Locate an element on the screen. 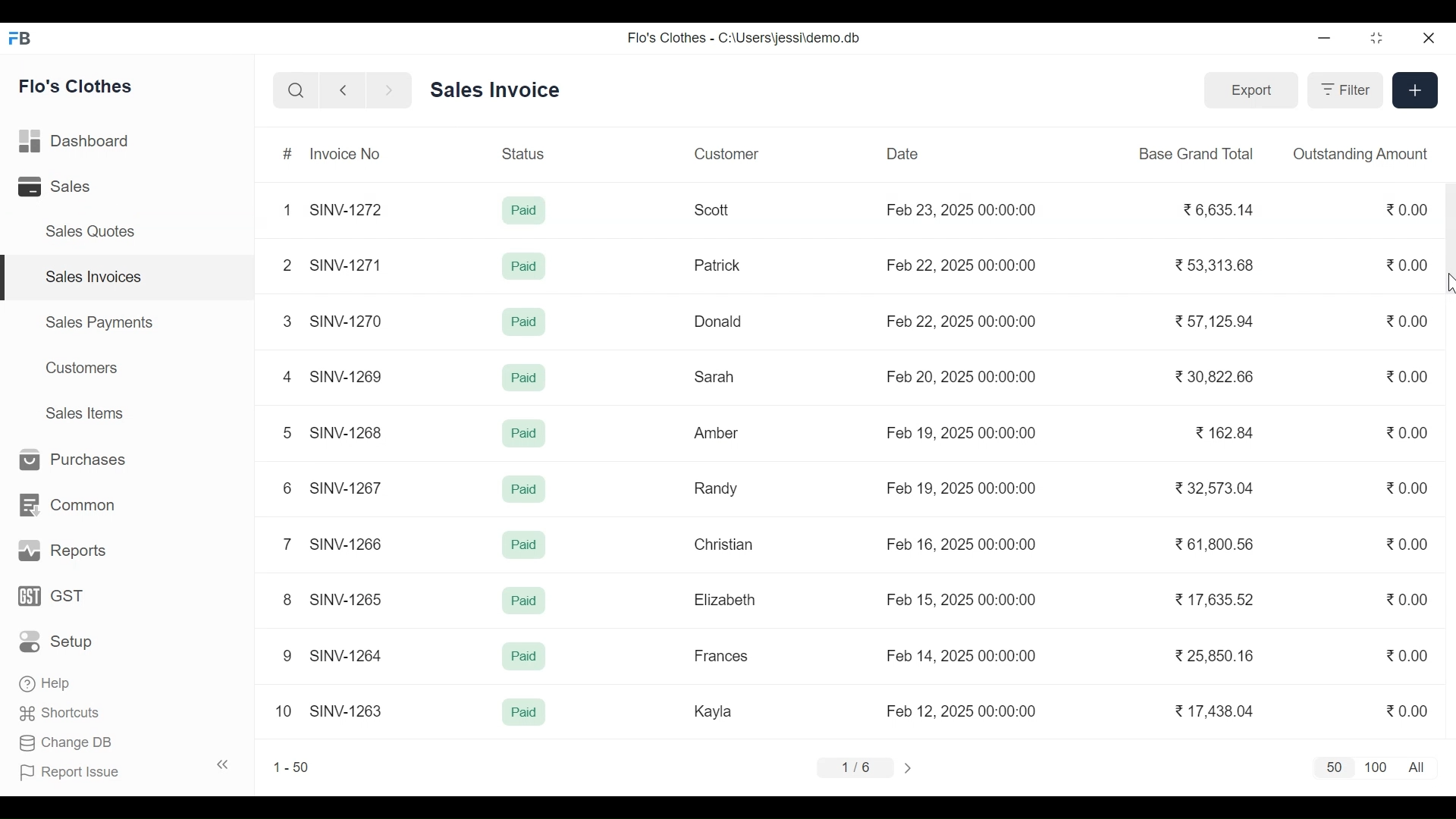 Image resolution: width=1456 pixels, height=819 pixels. 57,125.94 is located at coordinates (1212, 321).